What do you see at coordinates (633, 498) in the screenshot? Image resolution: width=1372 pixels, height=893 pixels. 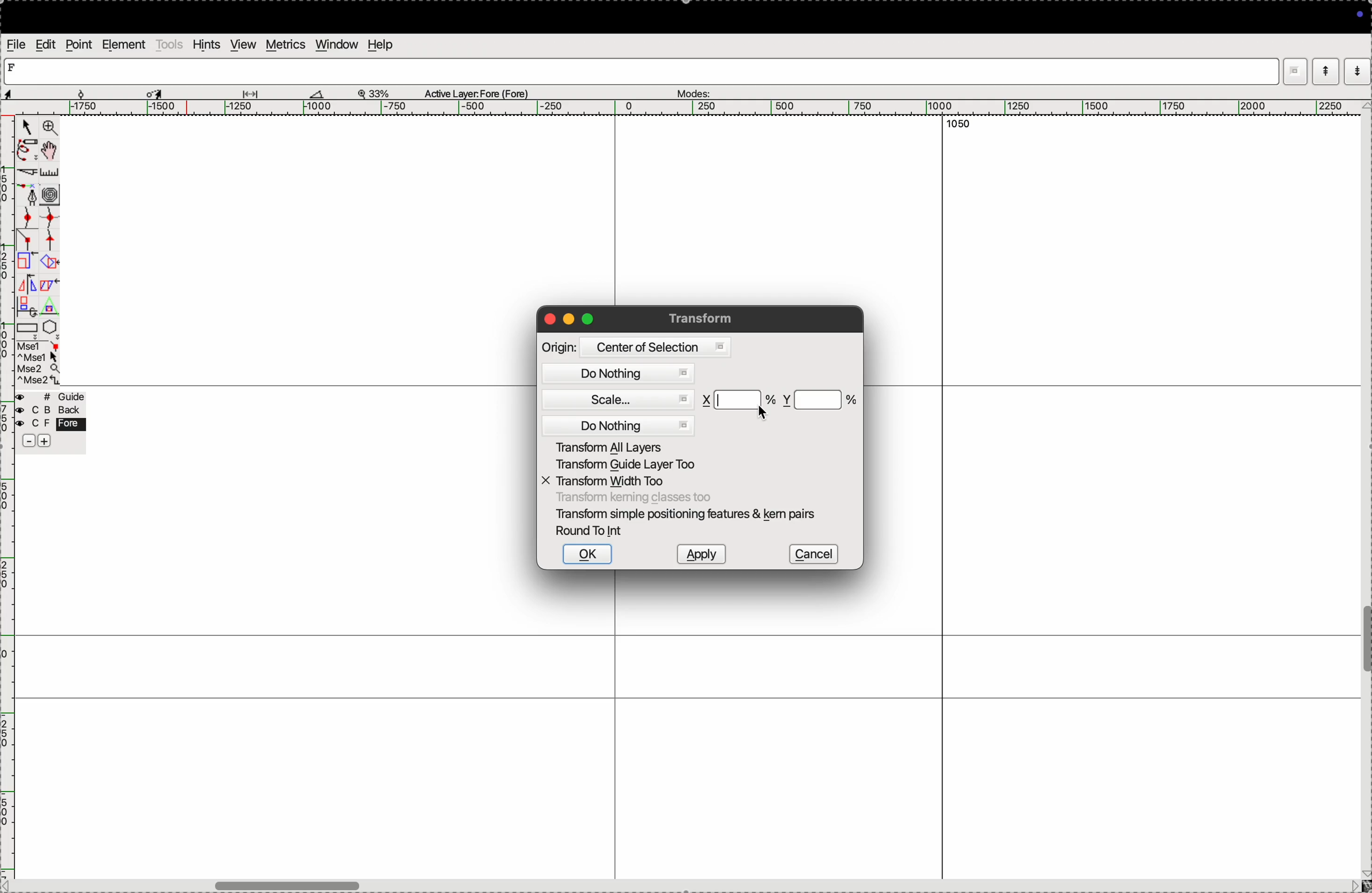 I see `transform classes too` at bounding box center [633, 498].